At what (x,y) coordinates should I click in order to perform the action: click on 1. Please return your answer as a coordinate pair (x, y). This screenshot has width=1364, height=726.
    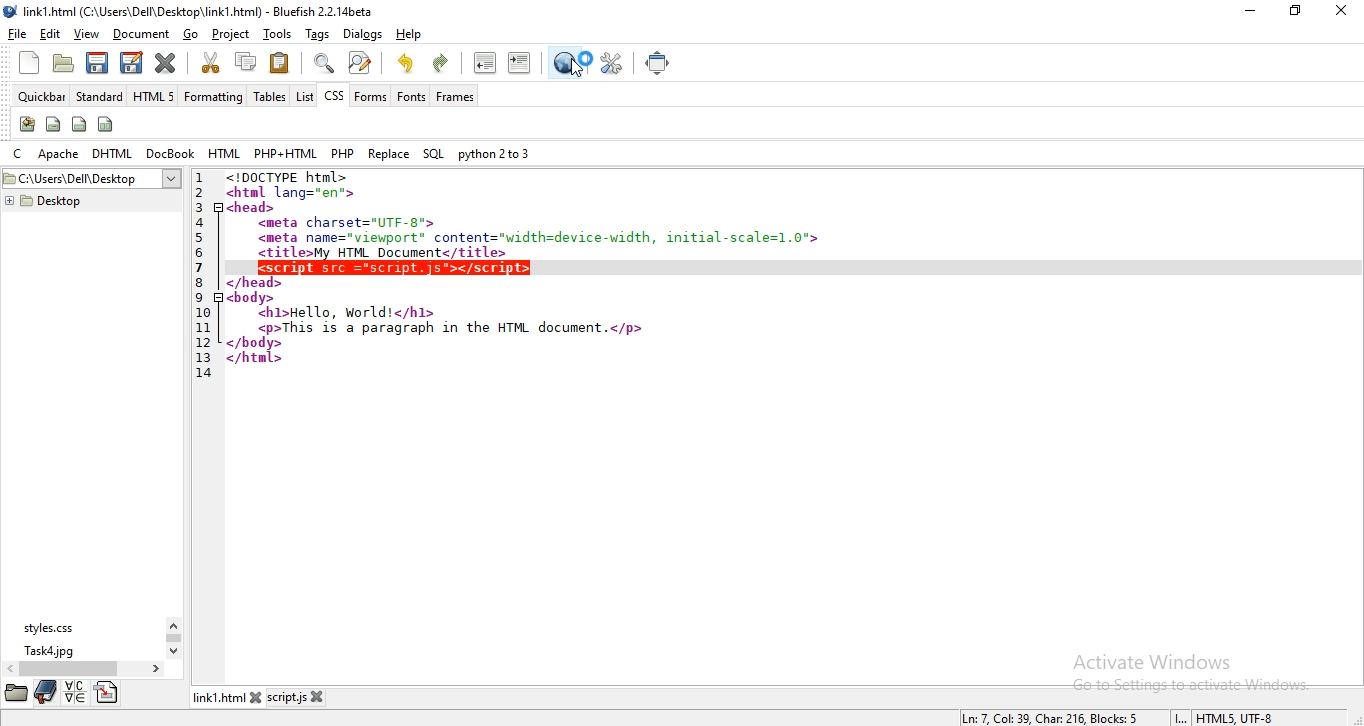
    Looking at the image, I should click on (198, 178).